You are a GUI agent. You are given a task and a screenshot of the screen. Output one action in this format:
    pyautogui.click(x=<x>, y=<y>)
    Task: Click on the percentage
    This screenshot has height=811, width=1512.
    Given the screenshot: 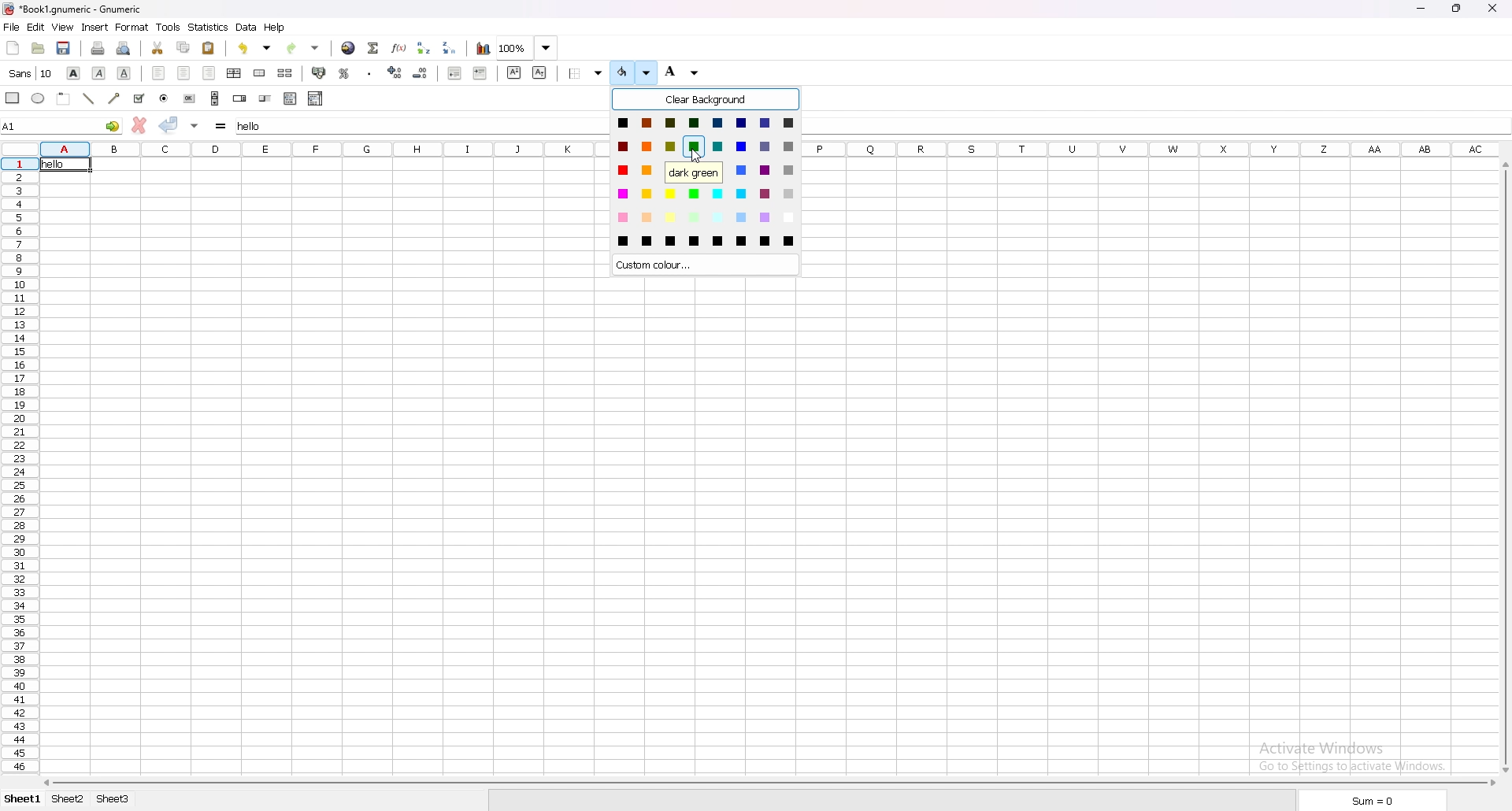 What is the action you would take?
    pyautogui.click(x=344, y=72)
    